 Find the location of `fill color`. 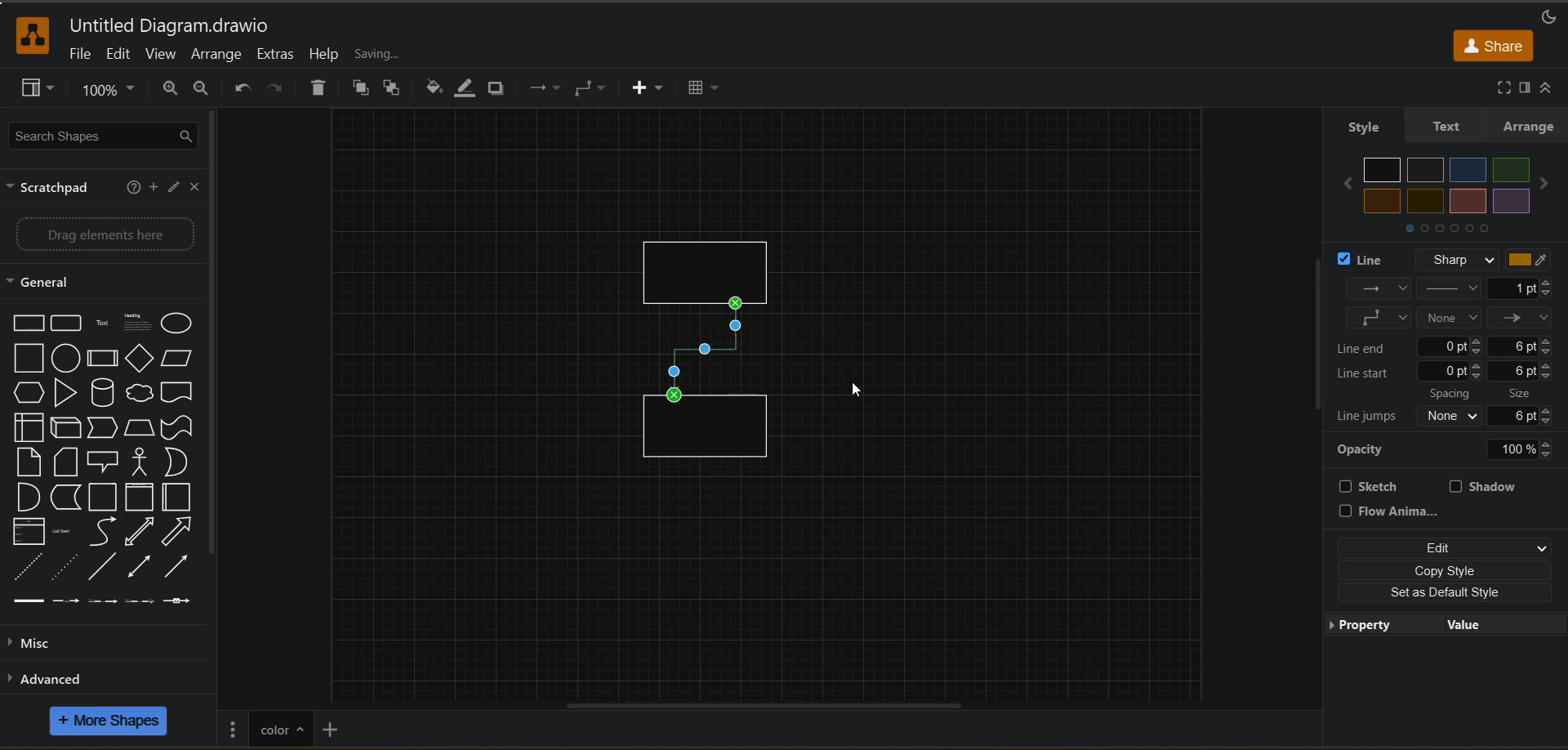

fill color is located at coordinates (431, 88).